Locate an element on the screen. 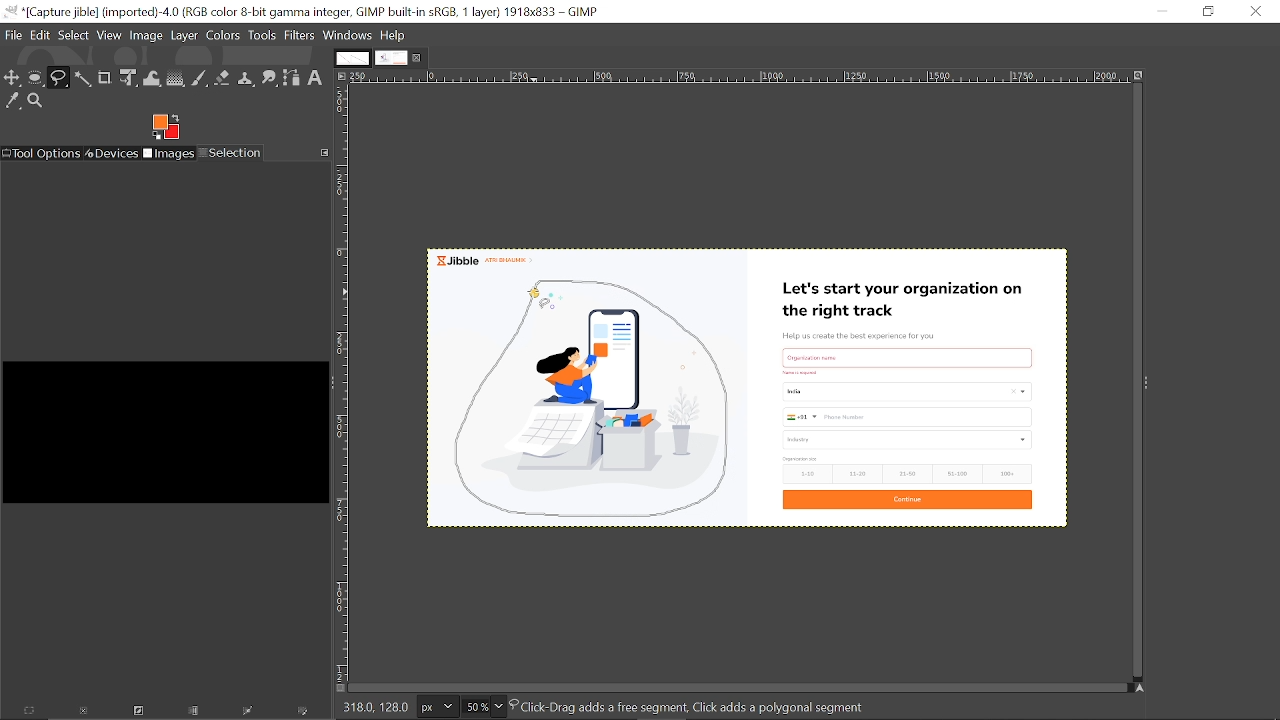 The image size is (1280, 720). help is located at coordinates (394, 35).